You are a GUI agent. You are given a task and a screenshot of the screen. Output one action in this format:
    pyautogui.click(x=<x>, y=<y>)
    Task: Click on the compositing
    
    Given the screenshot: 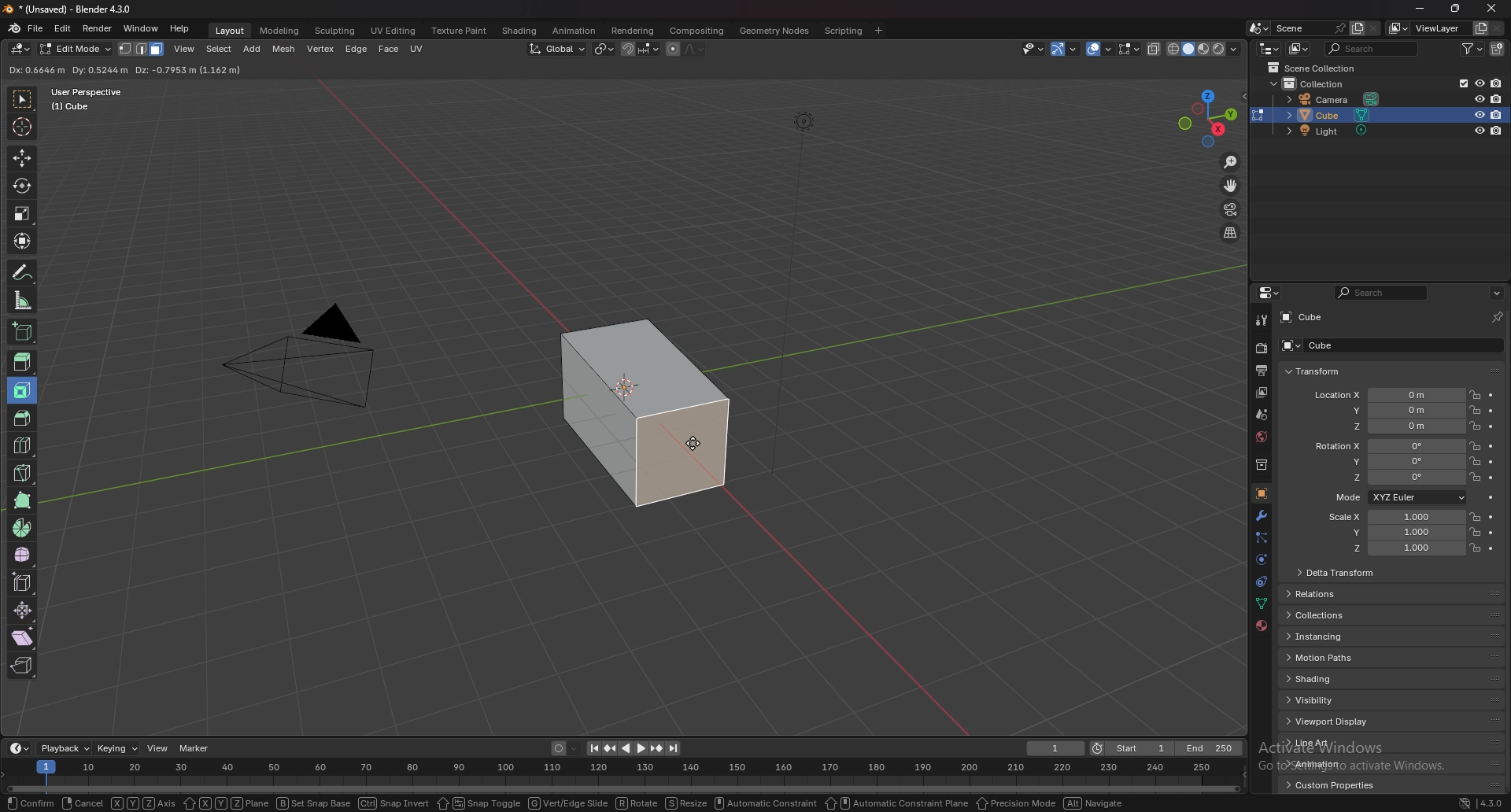 What is the action you would take?
    pyautogui.click(x=696, y=31)
    